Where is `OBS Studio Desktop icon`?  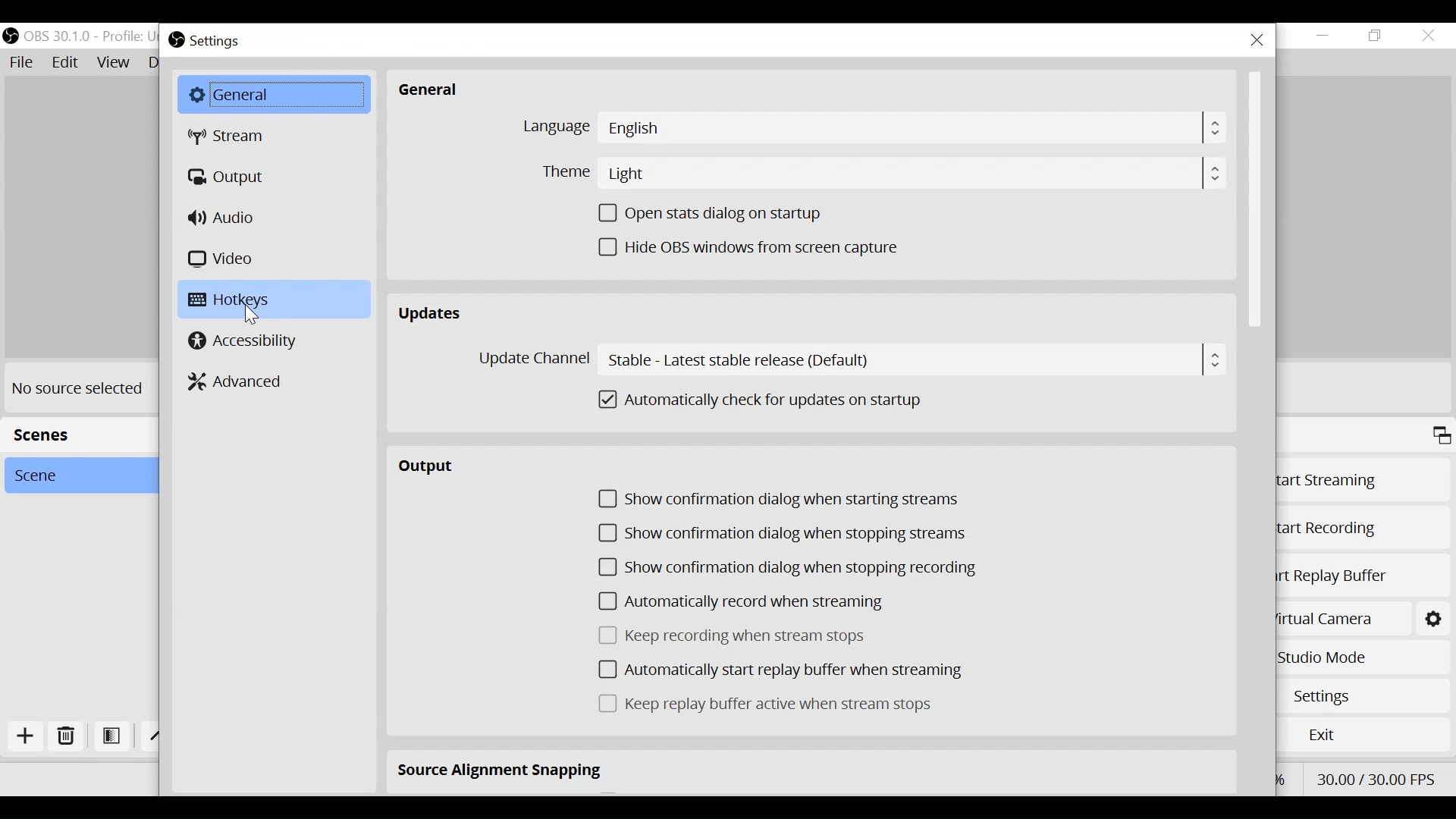 OBS Studio Desktop icon is located at coordinates (177, 39).